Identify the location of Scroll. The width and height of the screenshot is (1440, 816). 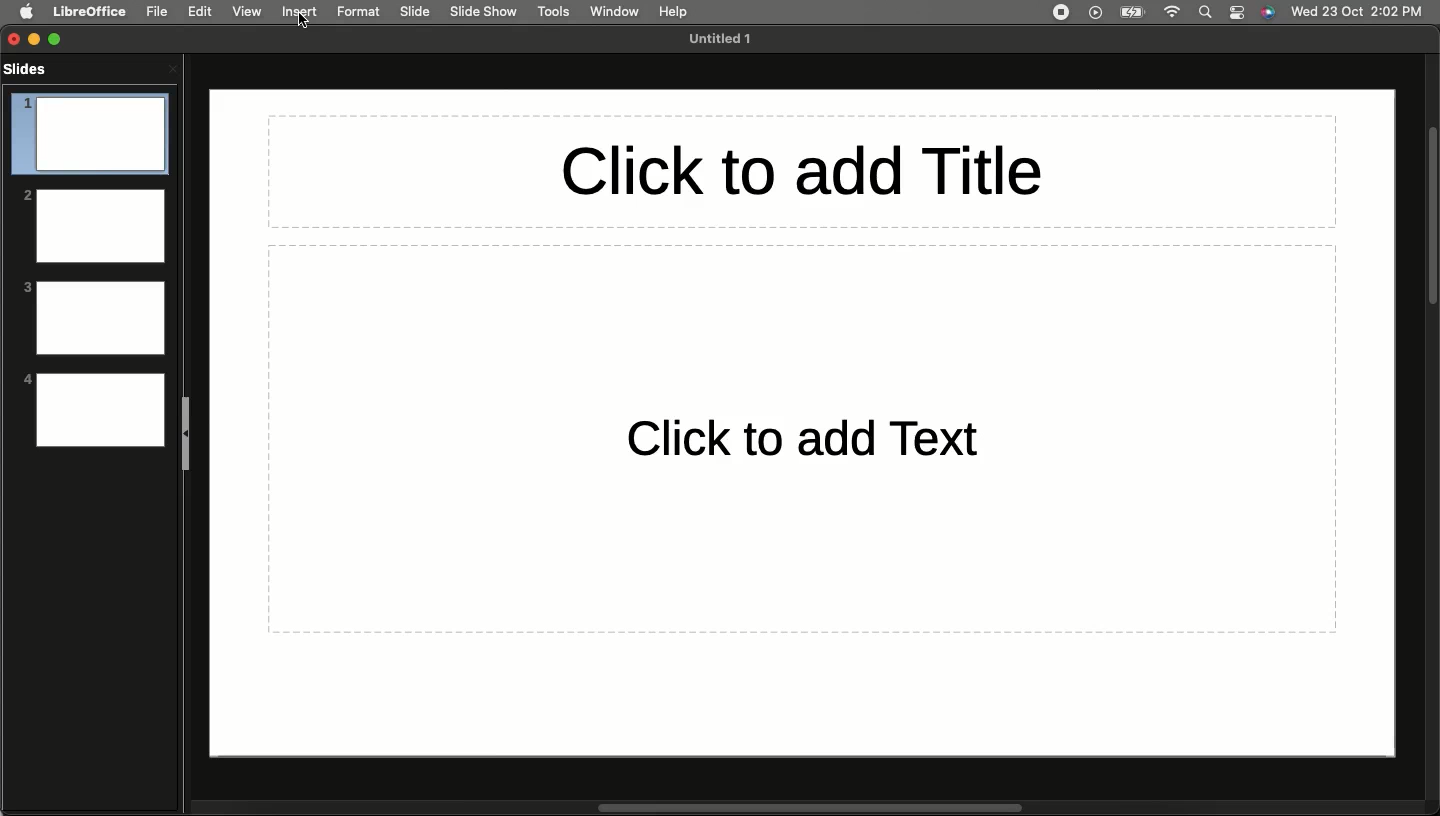
(805, 808).